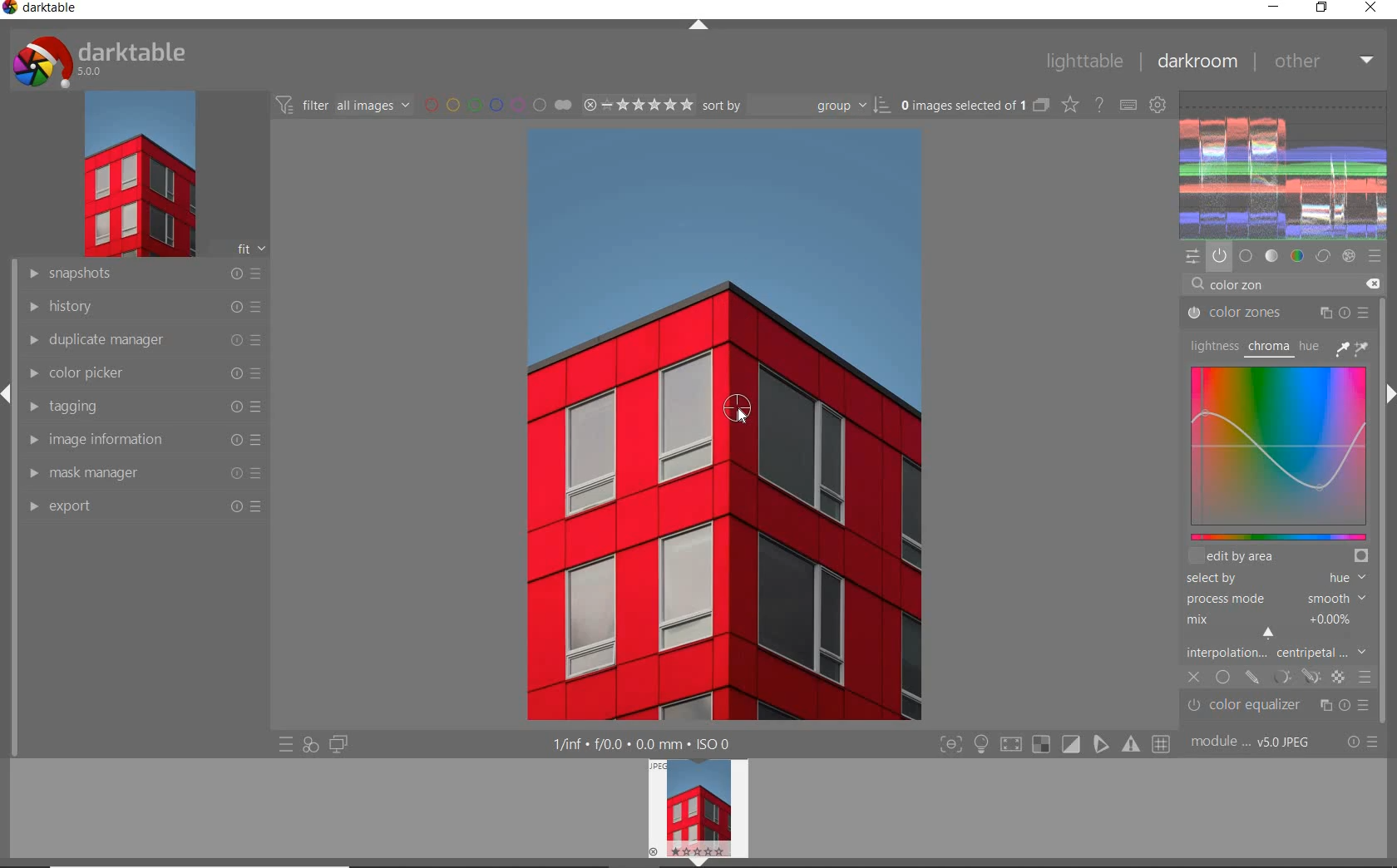  Describe the element at coordinates (710, 426) in the screenshot. I see `selected image` at that location.